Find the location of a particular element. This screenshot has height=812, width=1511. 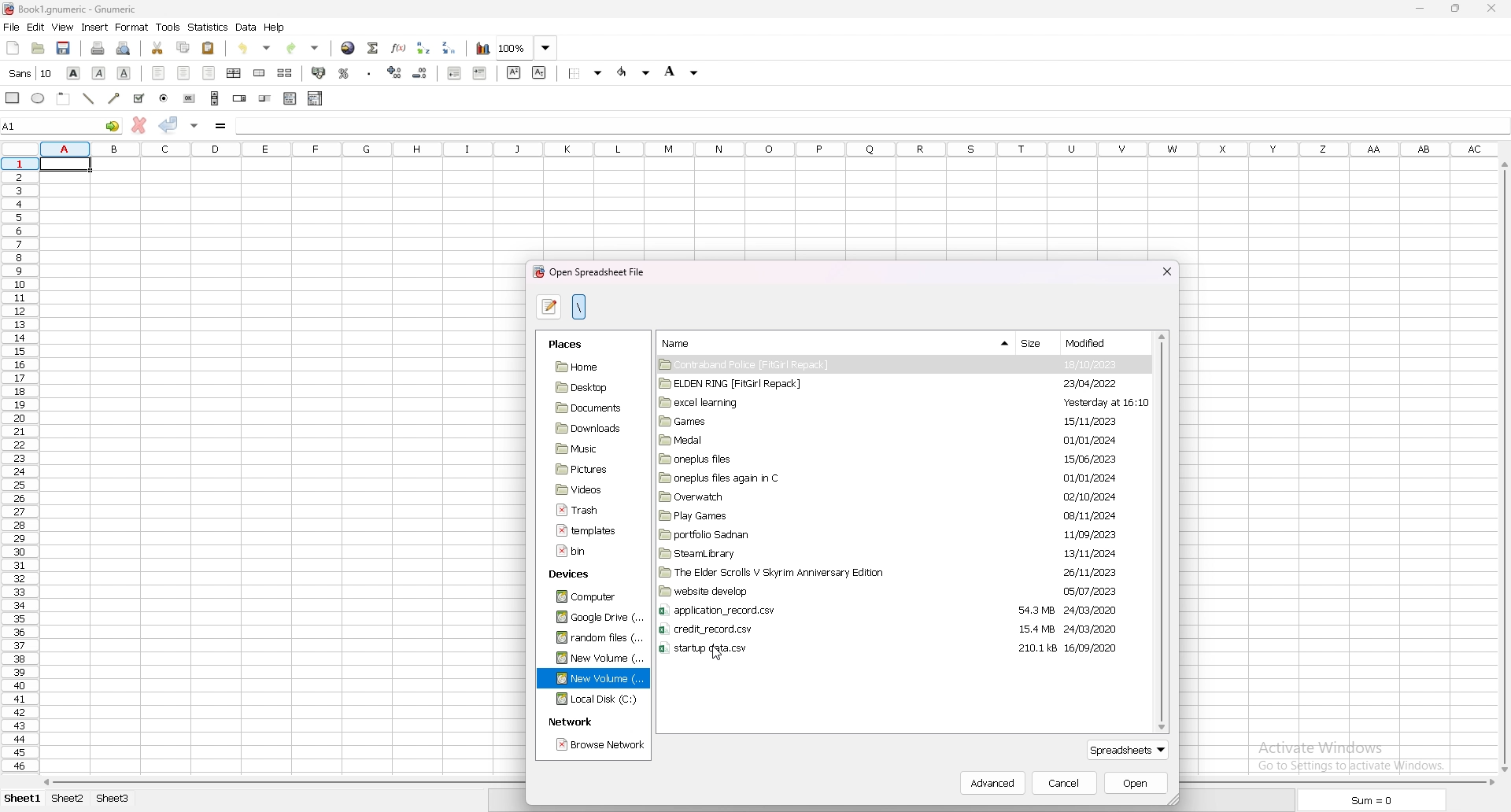

spin button is located at coordinates (241, 98).